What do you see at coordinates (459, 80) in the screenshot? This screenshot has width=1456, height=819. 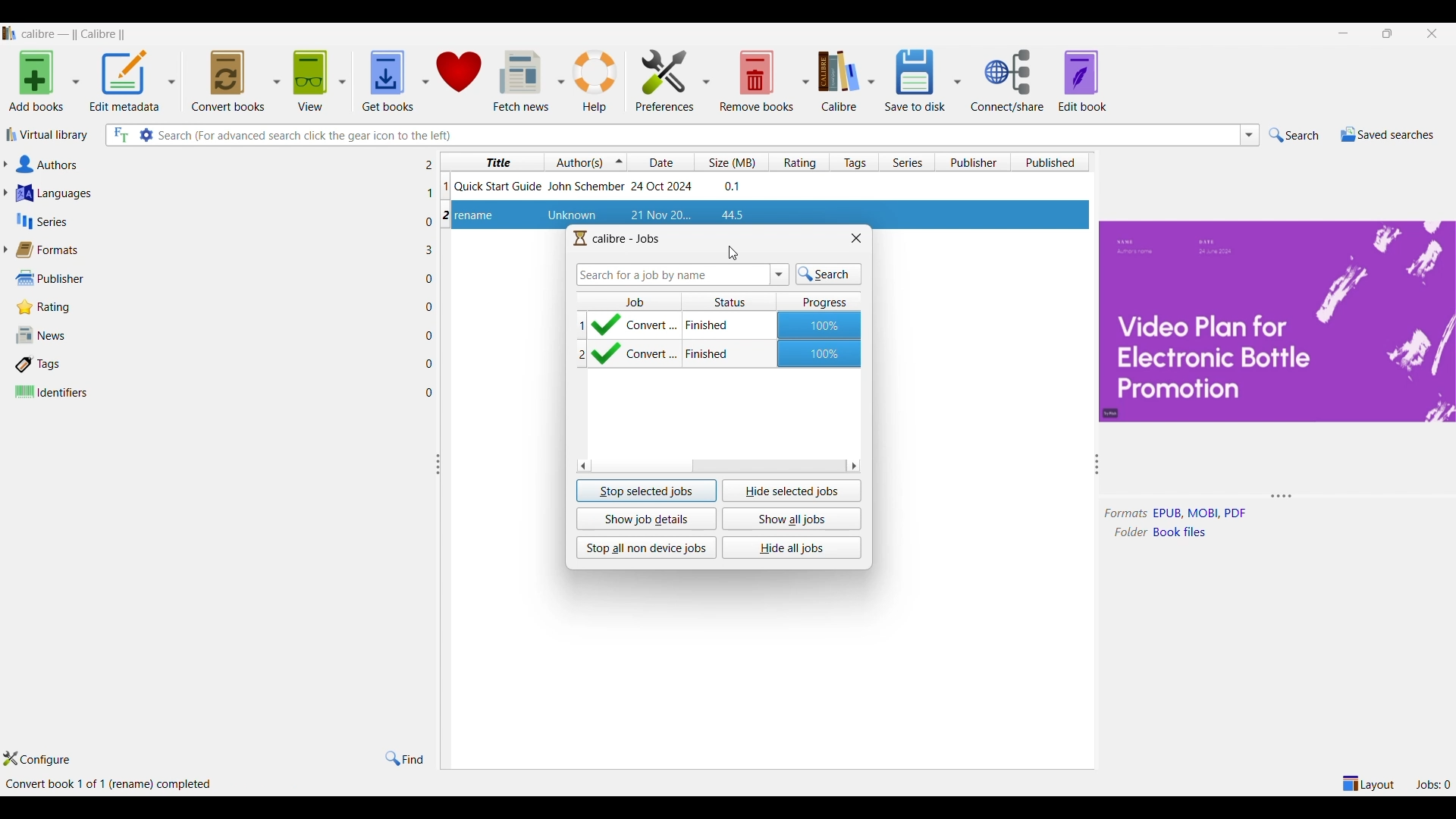 I see `Donate` at bounding box center [459, 80].